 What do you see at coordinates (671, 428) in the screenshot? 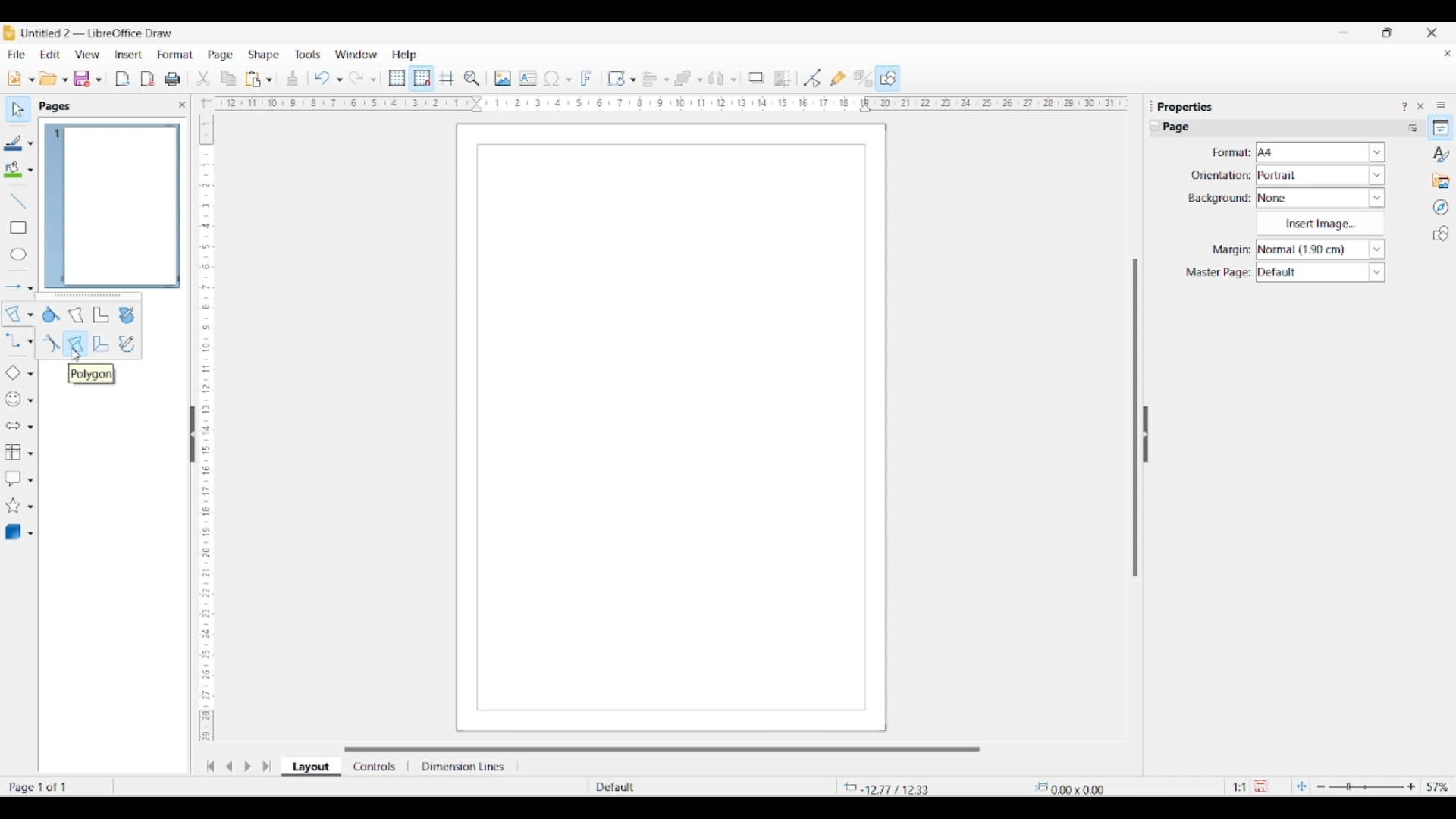
I see `Blank page` at bounding box center [671, 428].